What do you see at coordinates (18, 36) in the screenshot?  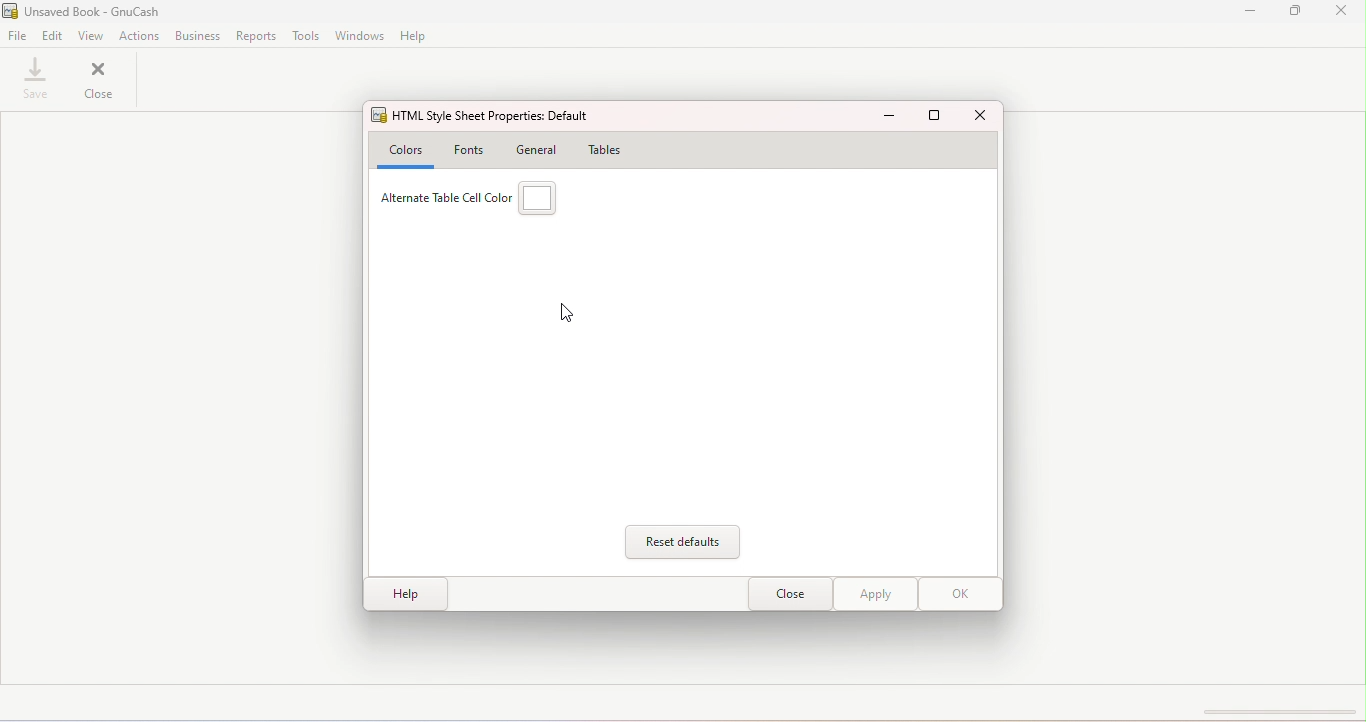 I see `File` at bounding box center [18, 36].